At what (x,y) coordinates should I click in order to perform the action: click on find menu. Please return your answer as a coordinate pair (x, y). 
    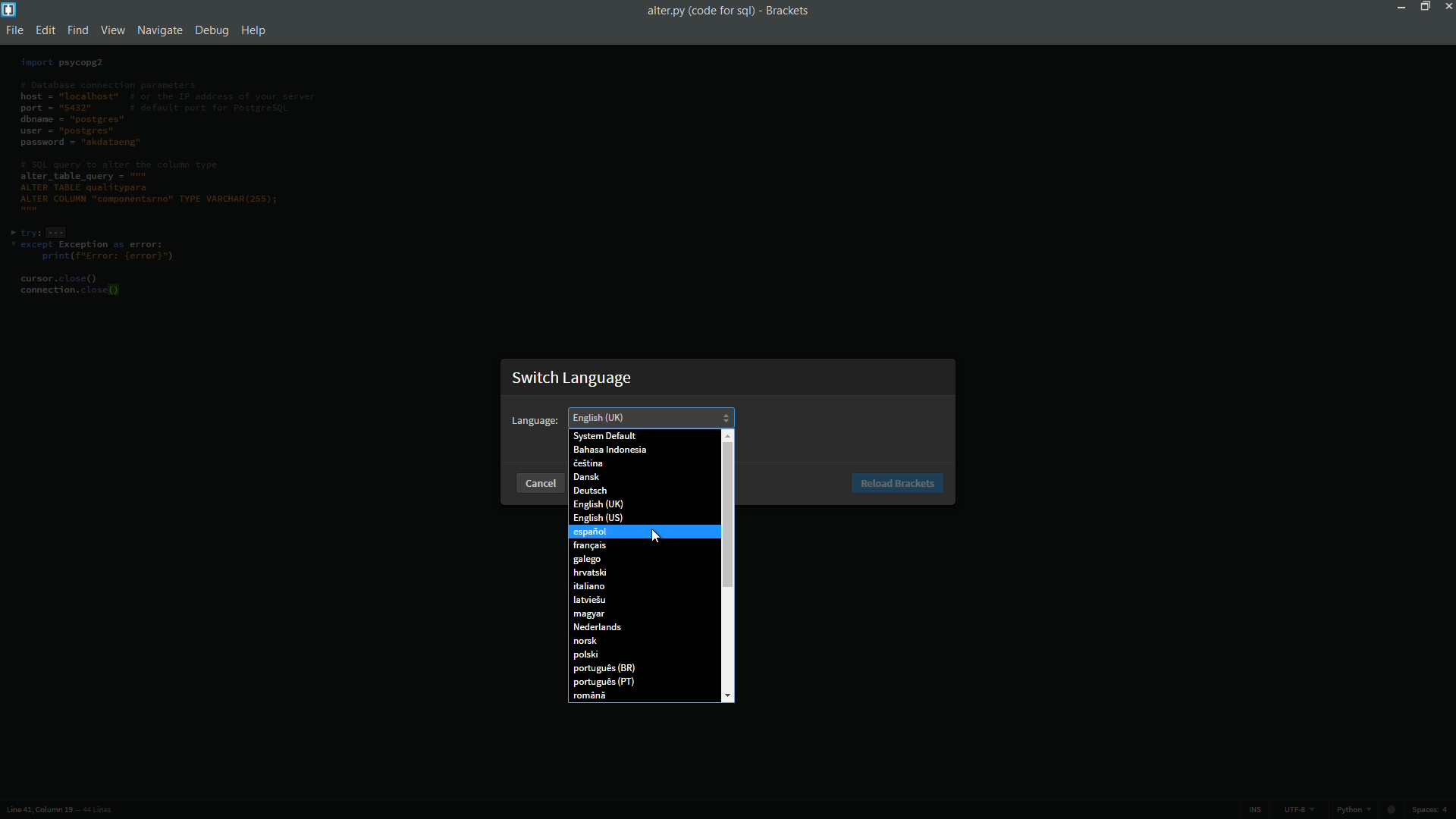
    Looking at the image, I should click on (78, 30).